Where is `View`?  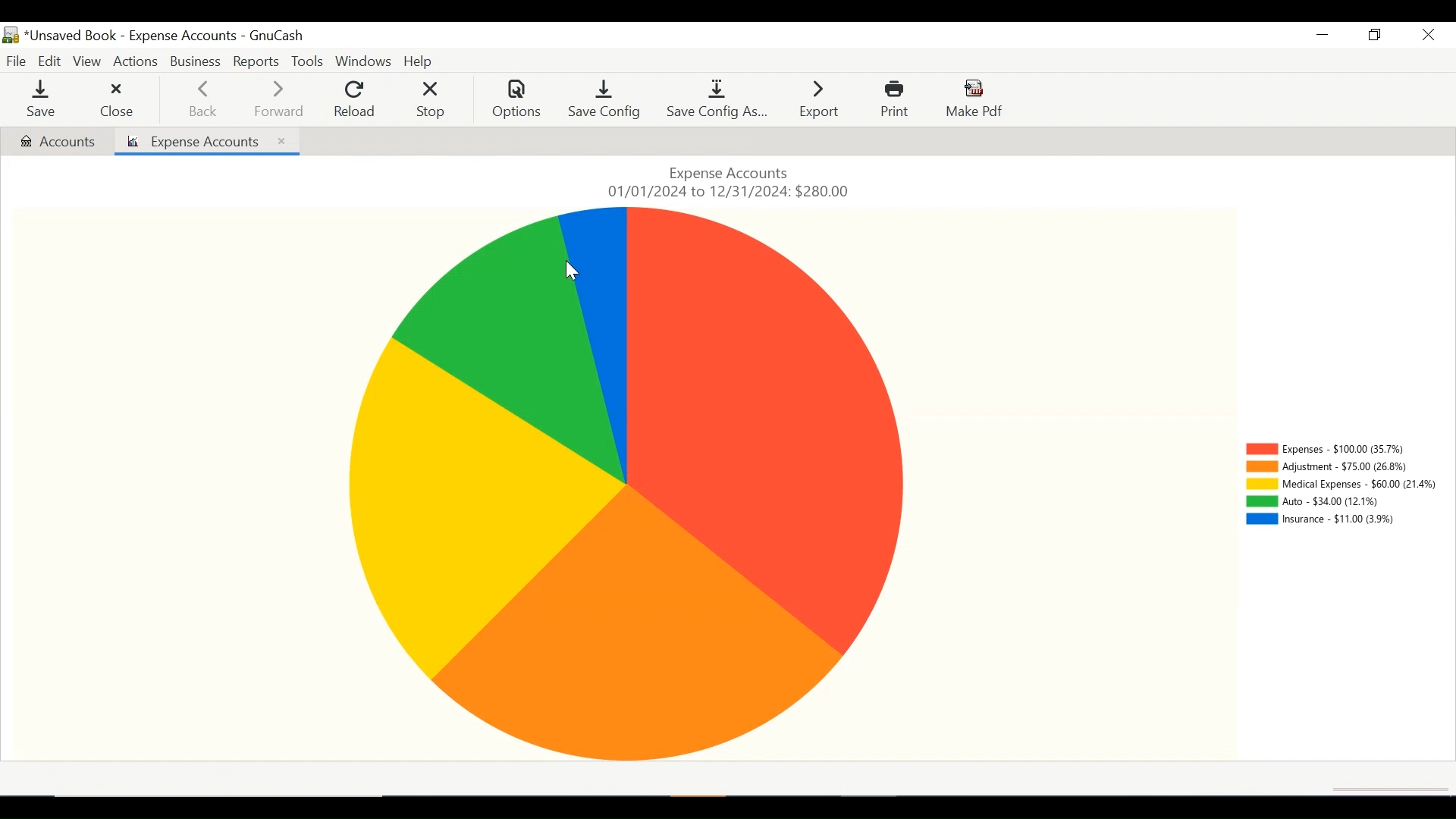 View is located at coordinates (88, 58).